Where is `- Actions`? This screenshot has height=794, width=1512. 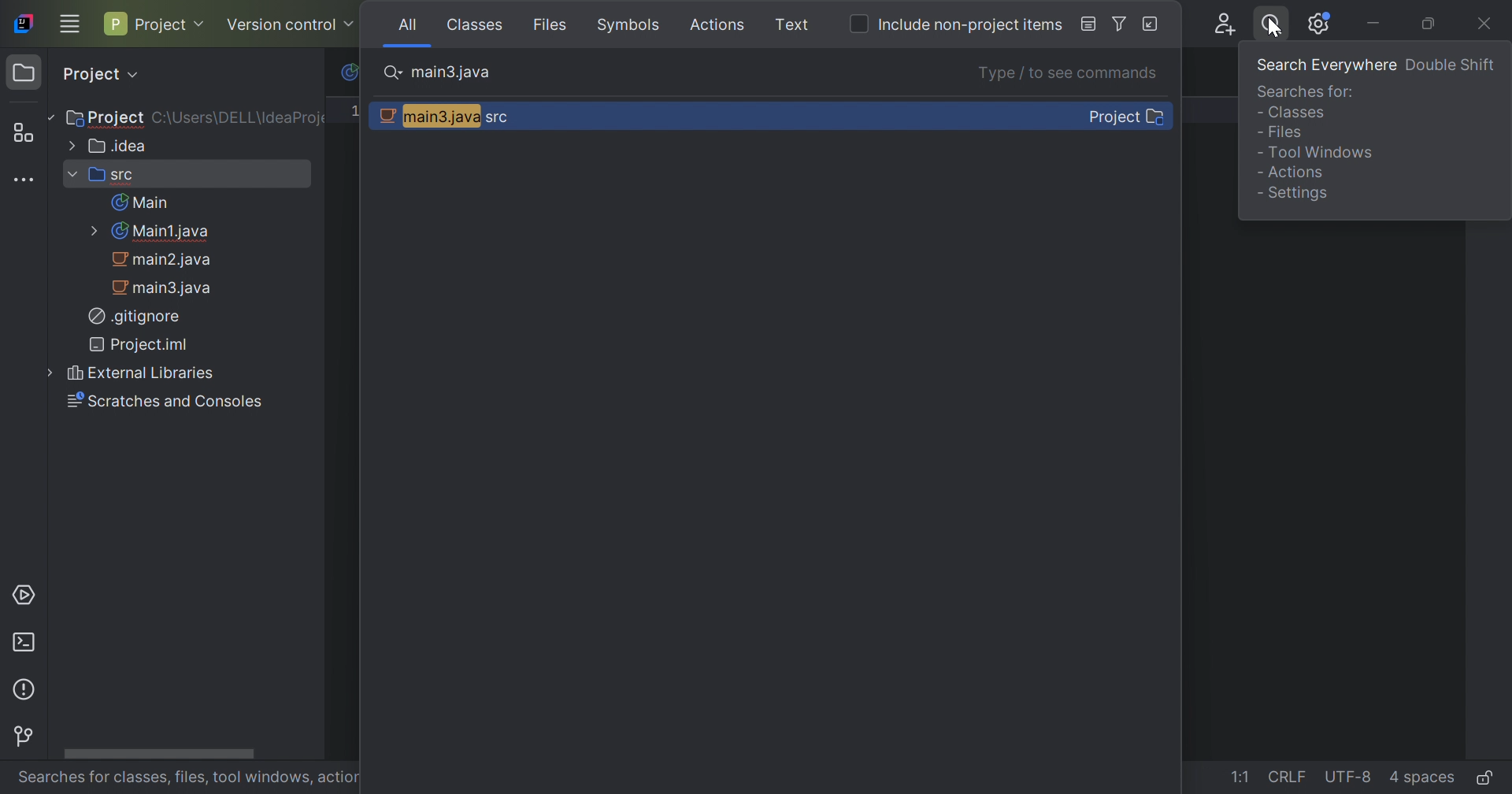
- Actions is located at coordinates (1290, 172).